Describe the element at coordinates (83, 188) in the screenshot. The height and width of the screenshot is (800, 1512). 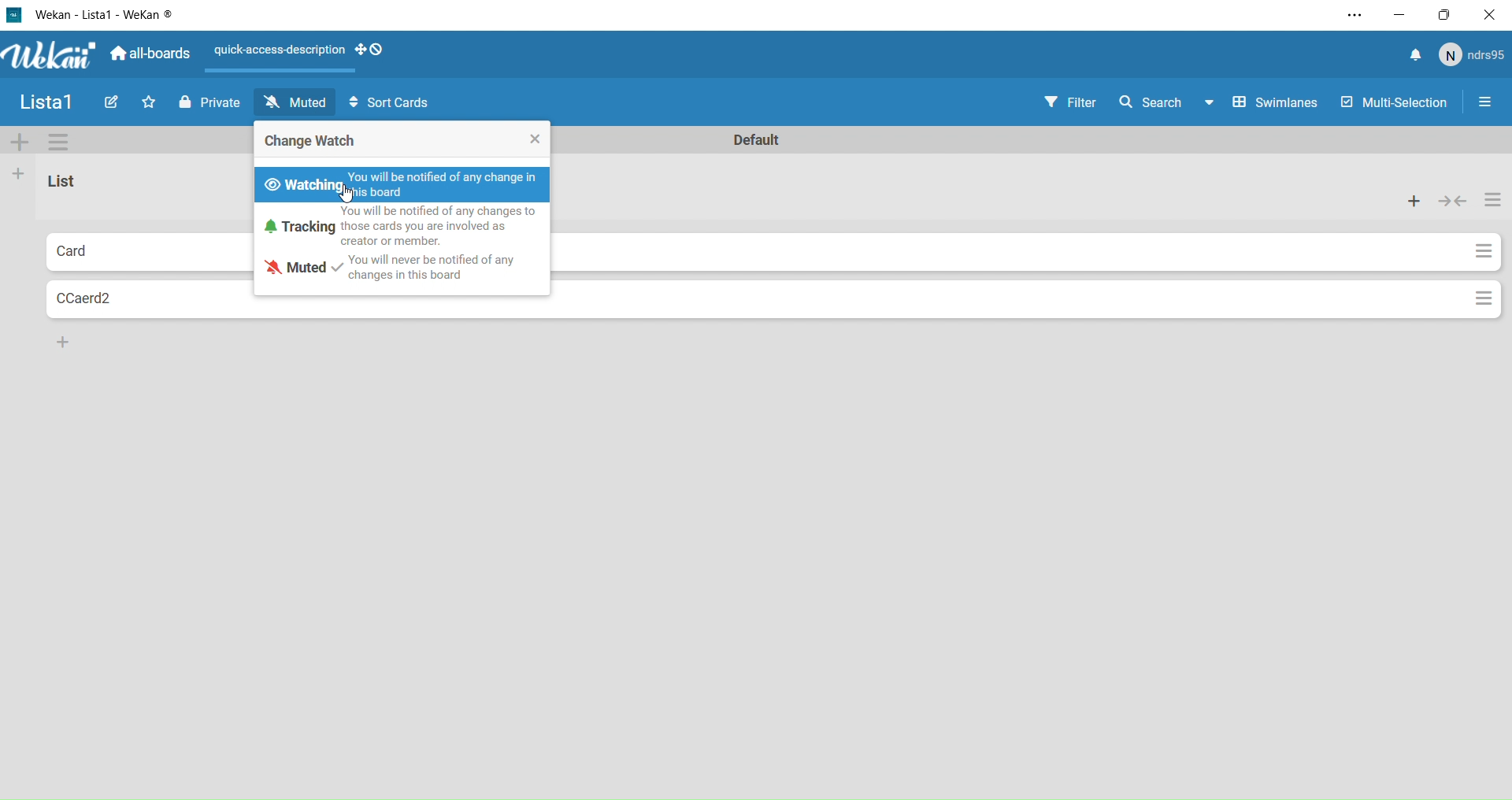
I see `List` at that location.